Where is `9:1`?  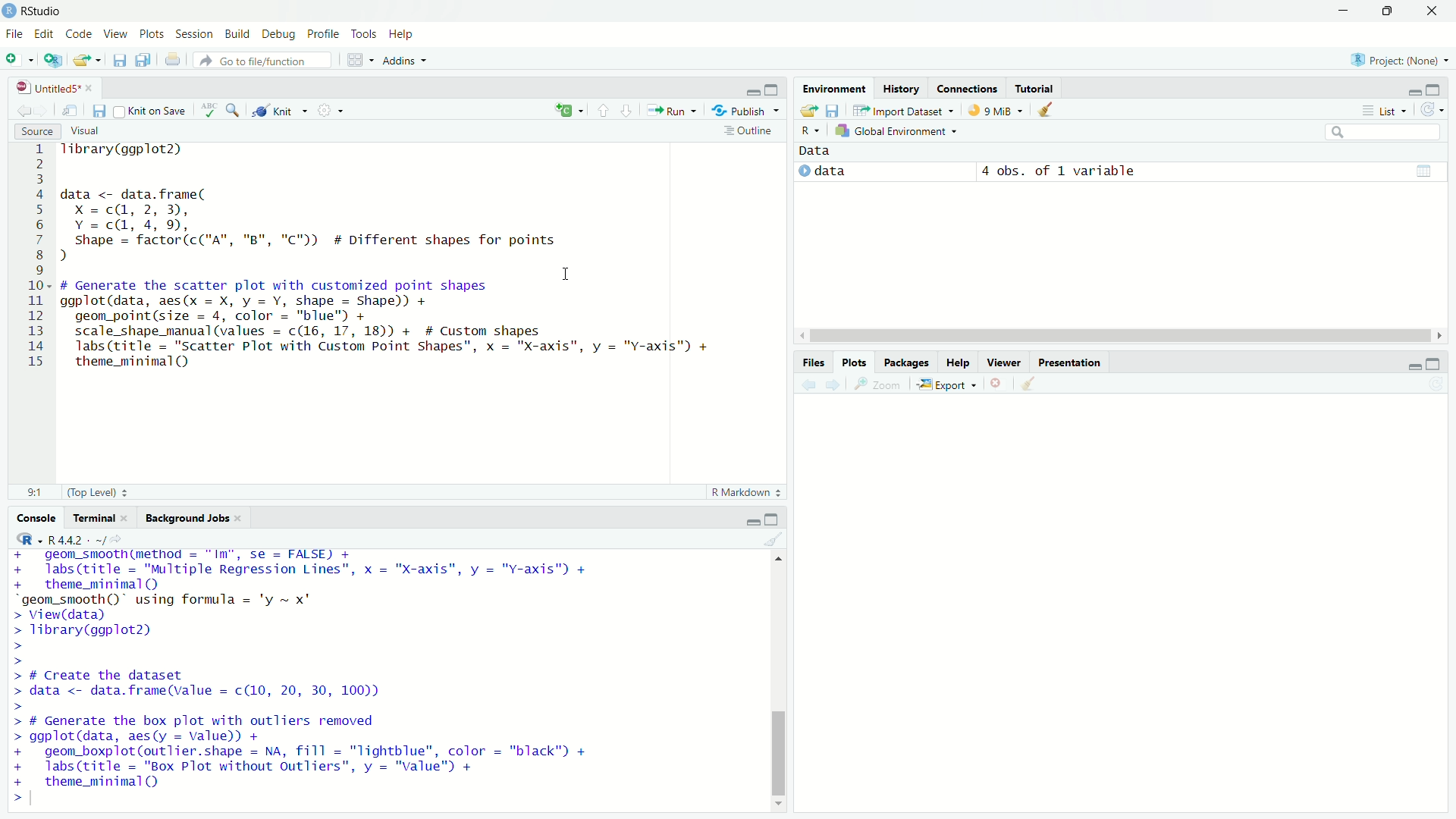
9:1 is located at coordinates (33, 492).